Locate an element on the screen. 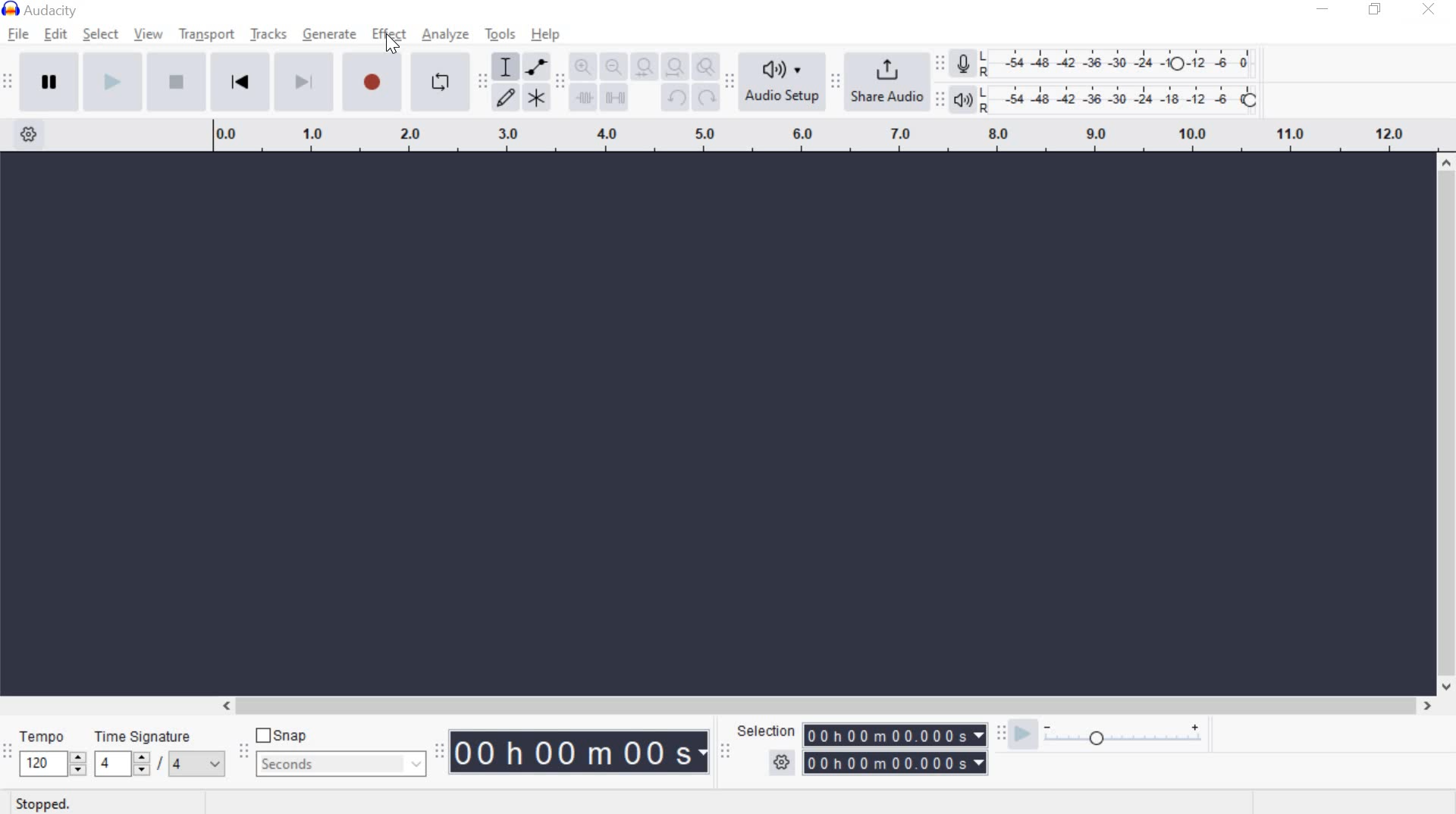 The image size is (1456, 814). view is located at coordinates (149, 34).